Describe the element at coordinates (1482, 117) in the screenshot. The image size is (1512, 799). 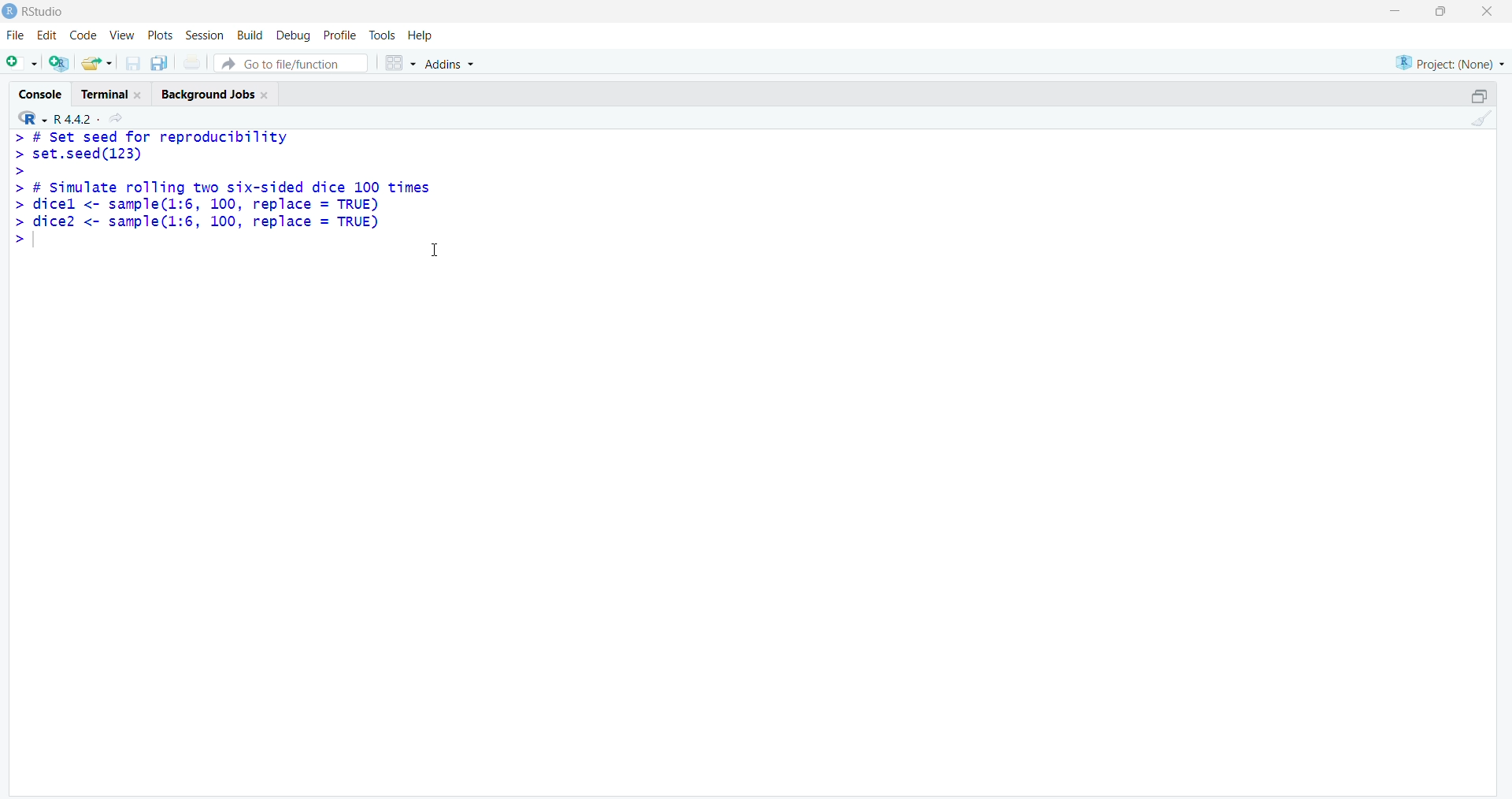
I see `clean` at that location.